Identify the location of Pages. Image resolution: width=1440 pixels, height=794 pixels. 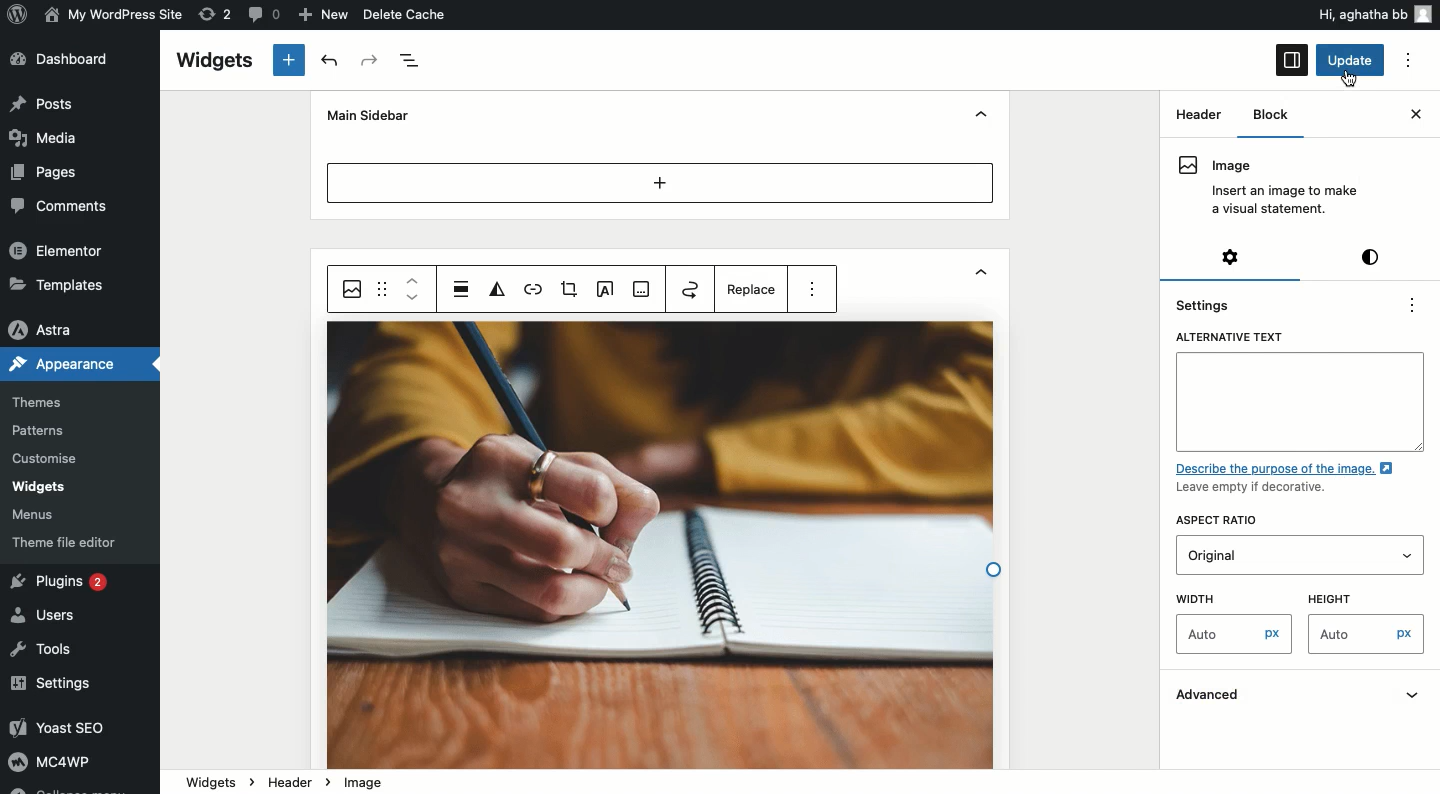
(47, 173).